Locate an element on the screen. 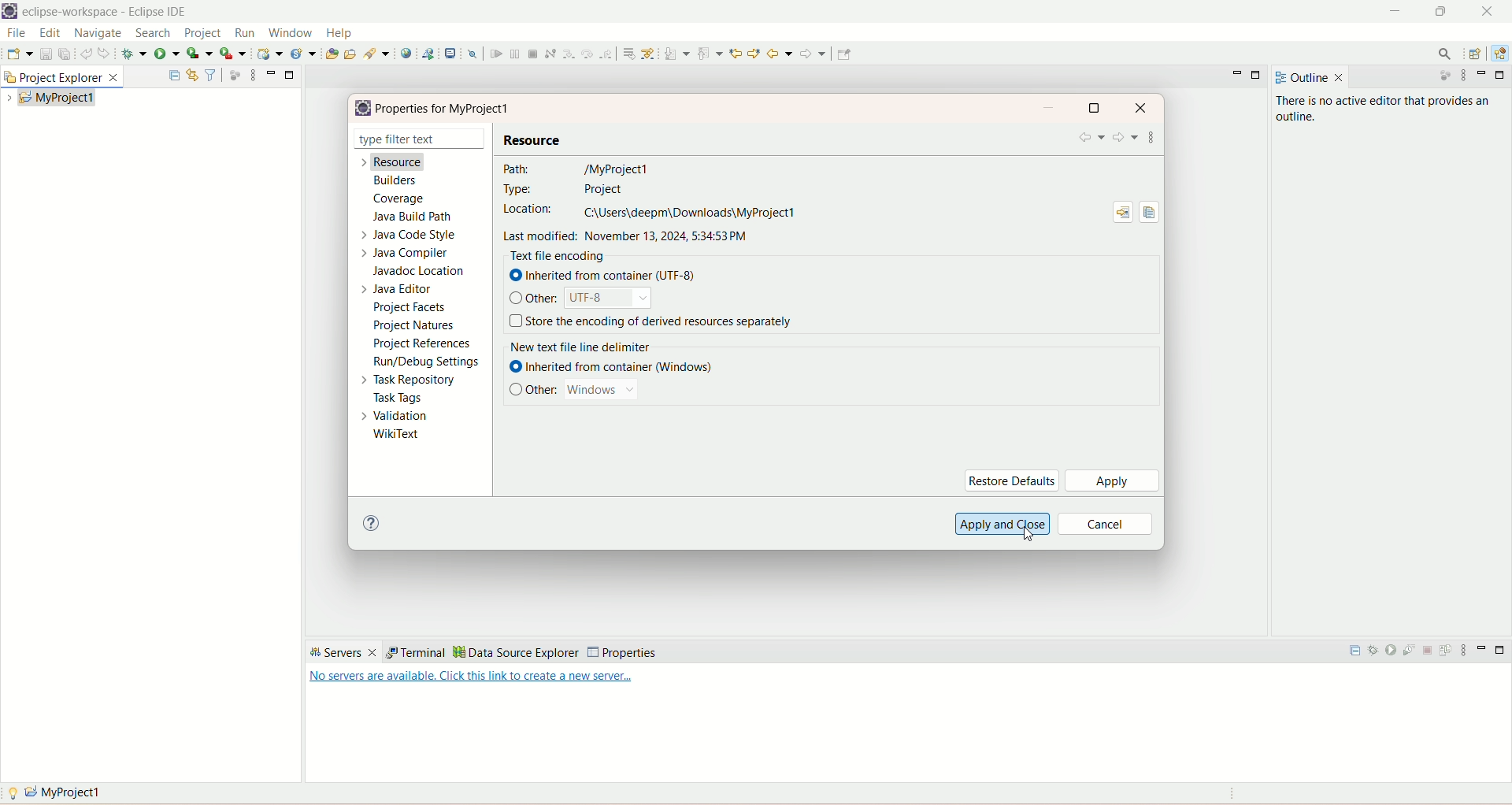 Image resolution: width=1512 pixels, height=805 pixels. run settings is located at coordinates (424, 364).